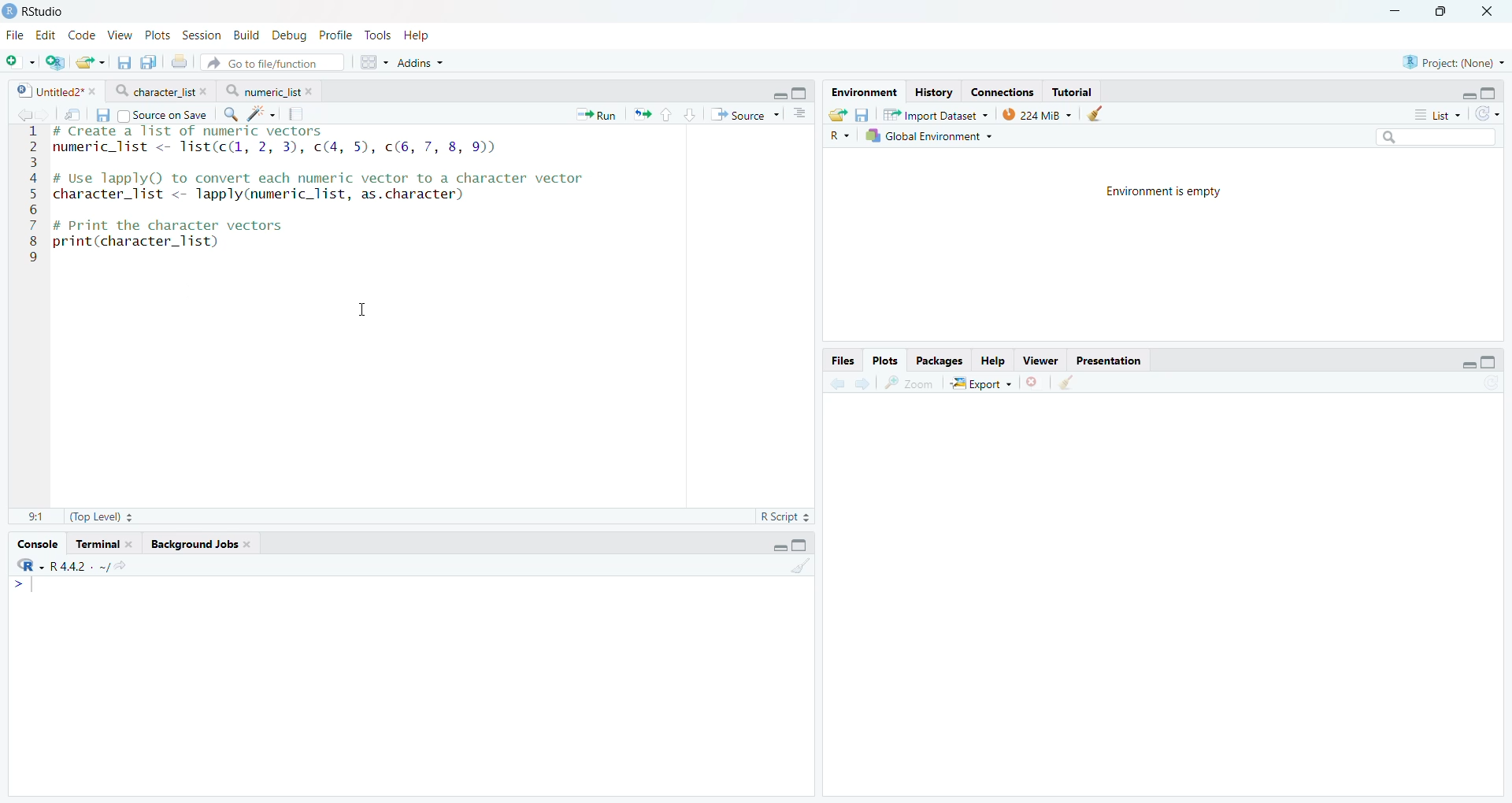 Image resolution: width=1512 pixels, height=803 pixels. Describe the element at coordinates (124, 62) in the screenshot. I see `Save current file` at that location.